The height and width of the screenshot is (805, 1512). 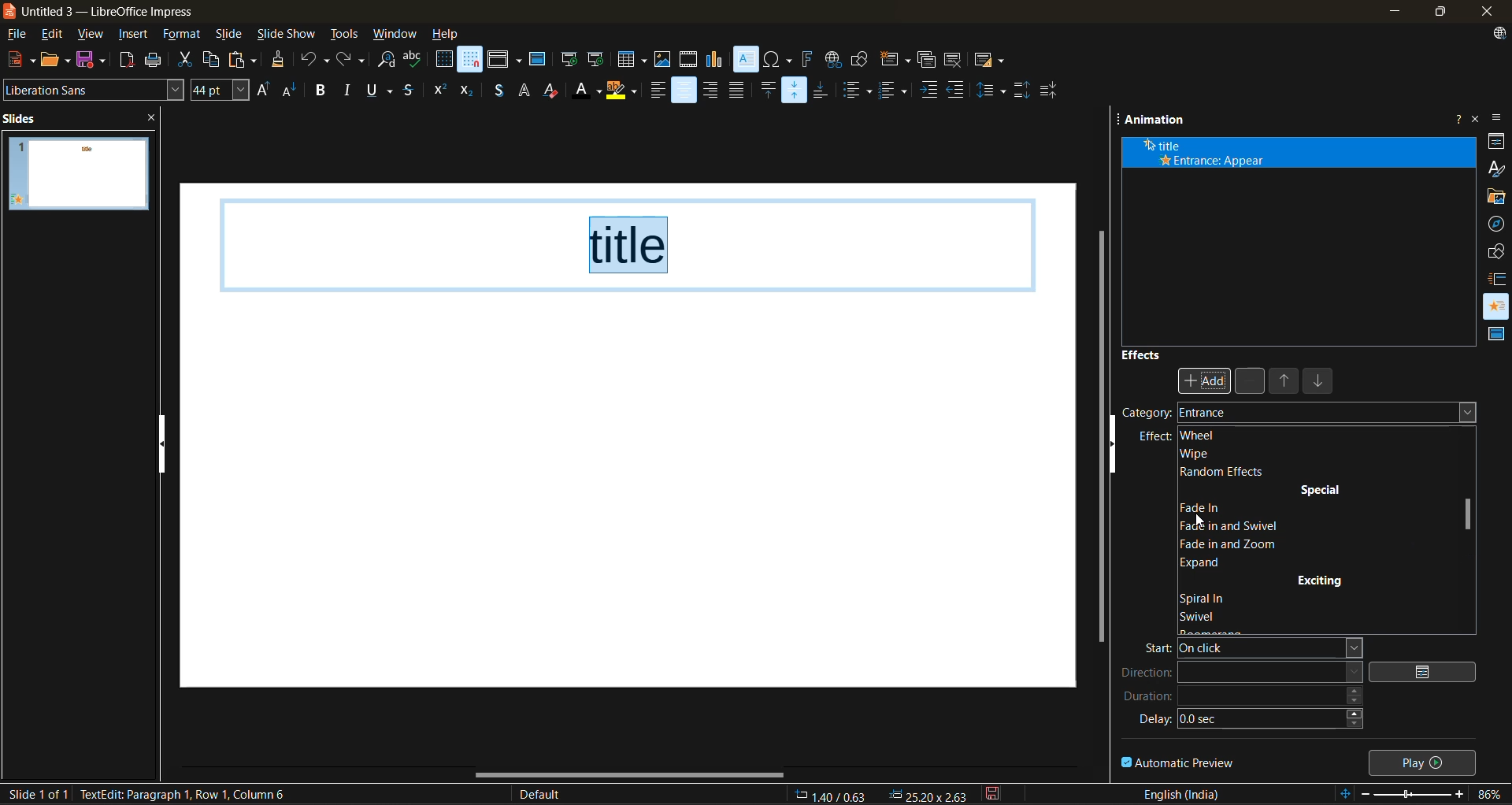 I want to click on random effects, so click(x=1221, y=472).